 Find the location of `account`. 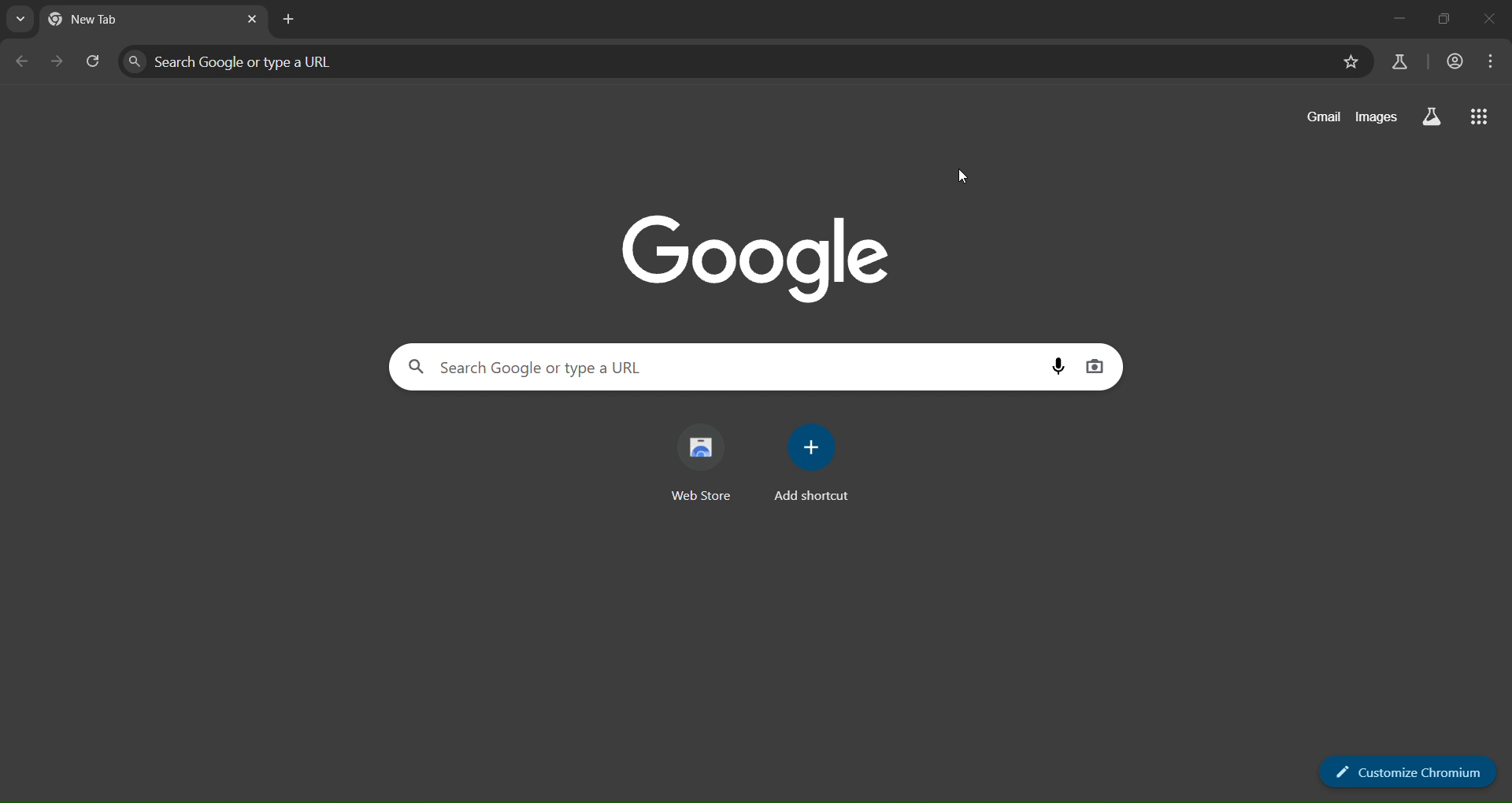

account is located at coordinates (1451, 62).